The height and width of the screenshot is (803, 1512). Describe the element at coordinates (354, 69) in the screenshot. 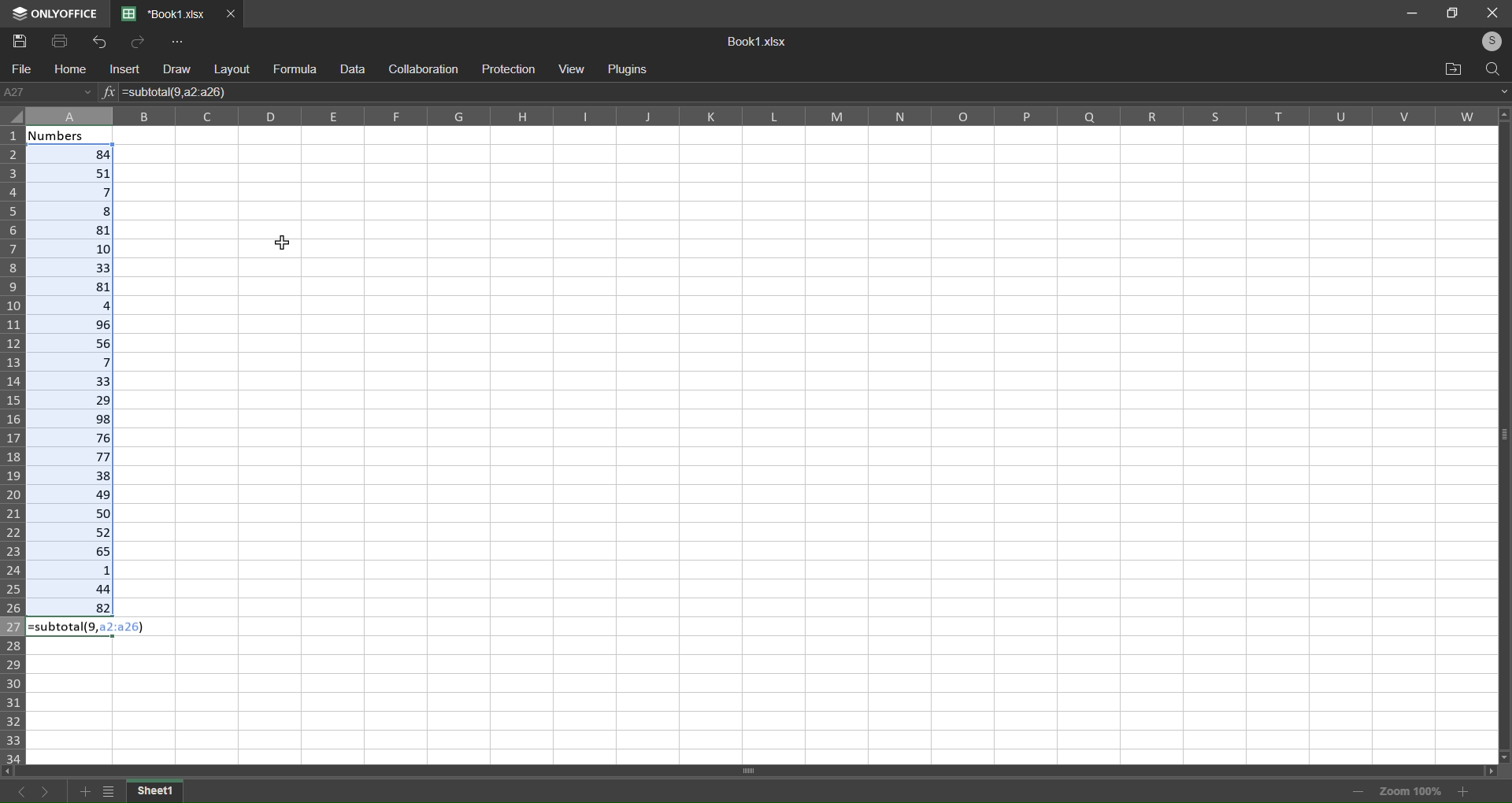

I see `data` at that location.